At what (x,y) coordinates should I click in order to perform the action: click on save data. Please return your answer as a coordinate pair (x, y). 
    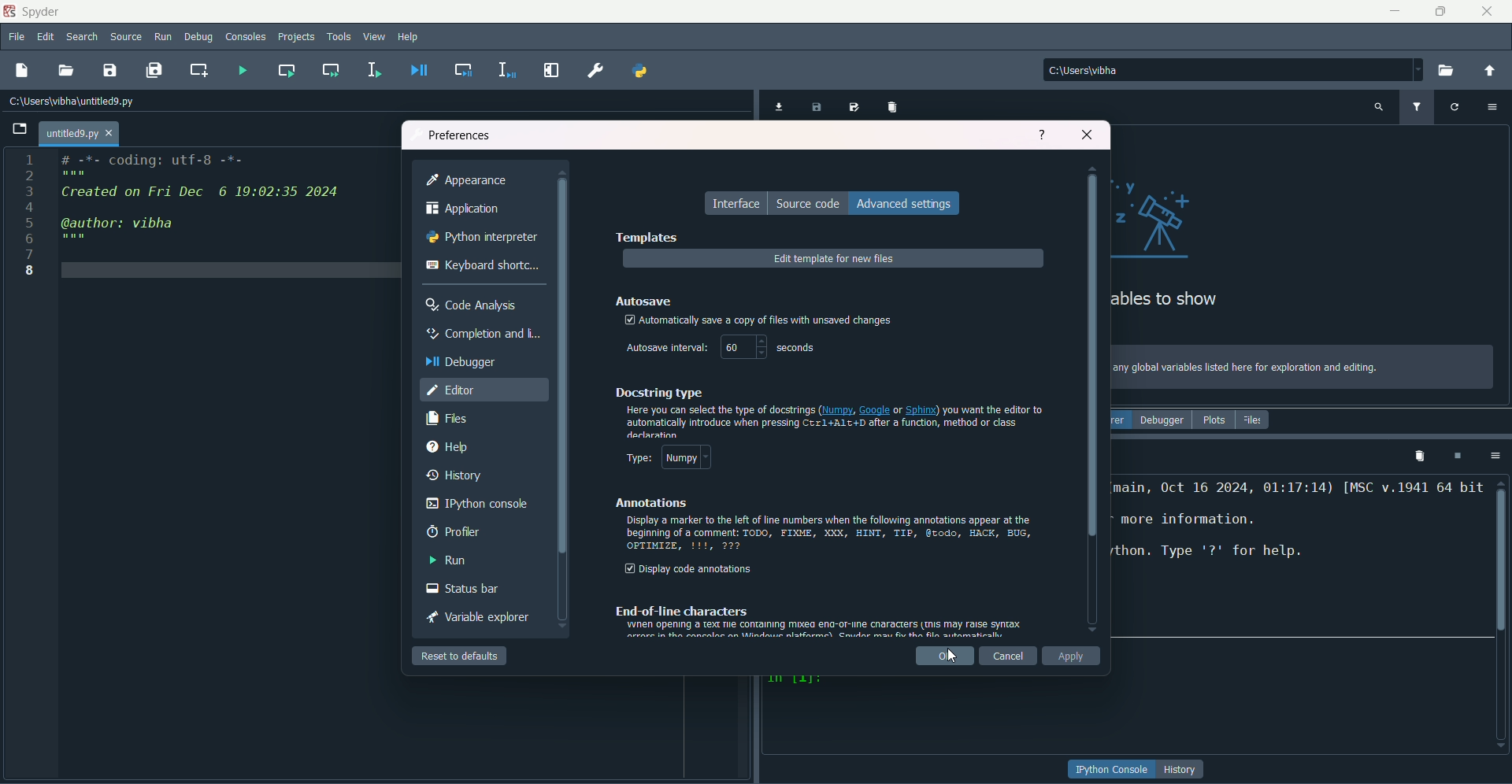
    Looking at the image, I should click on (817, 109).